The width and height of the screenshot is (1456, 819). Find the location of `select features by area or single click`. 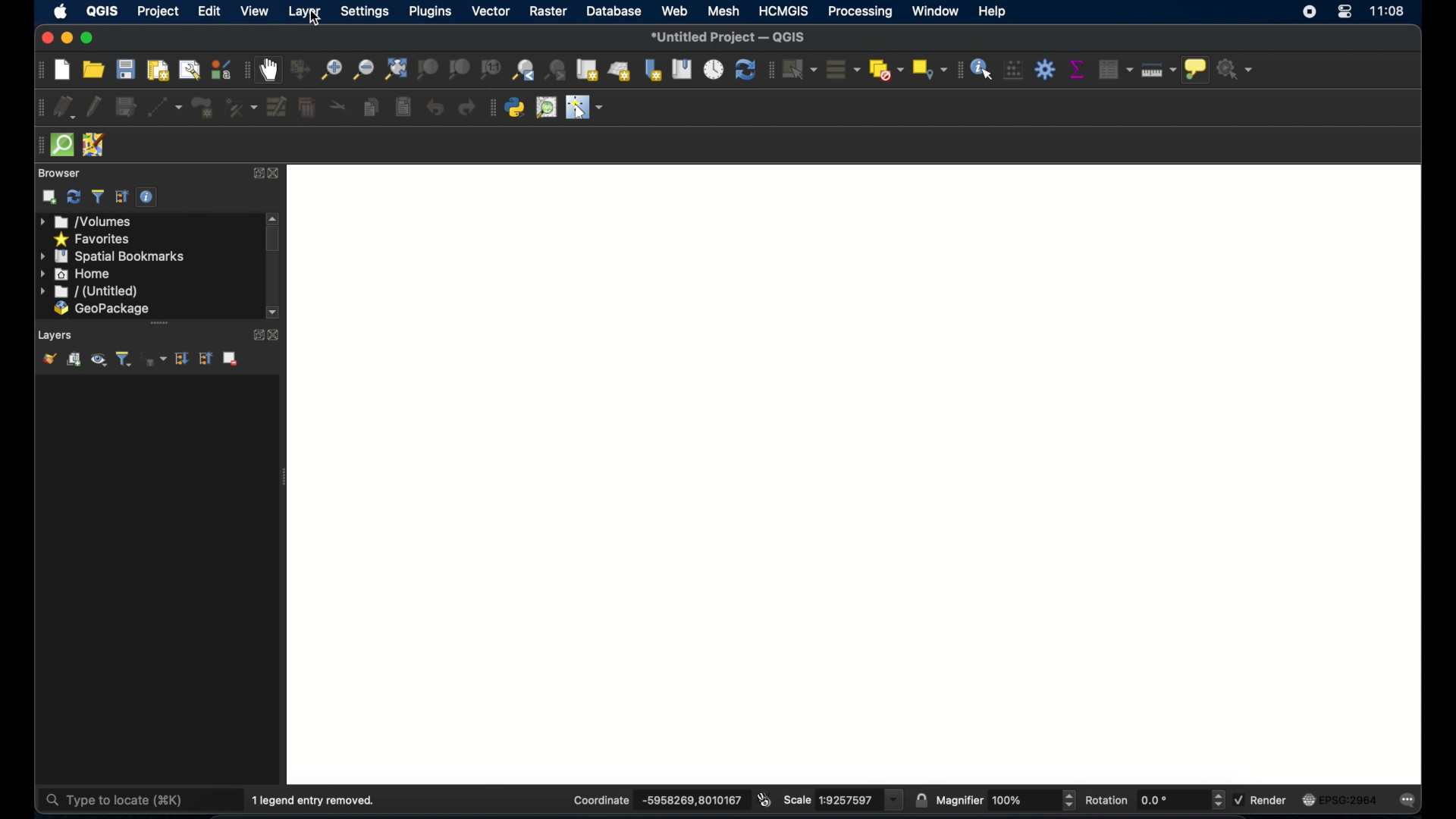

select features by area or single click is located at coordinates (799, 68).